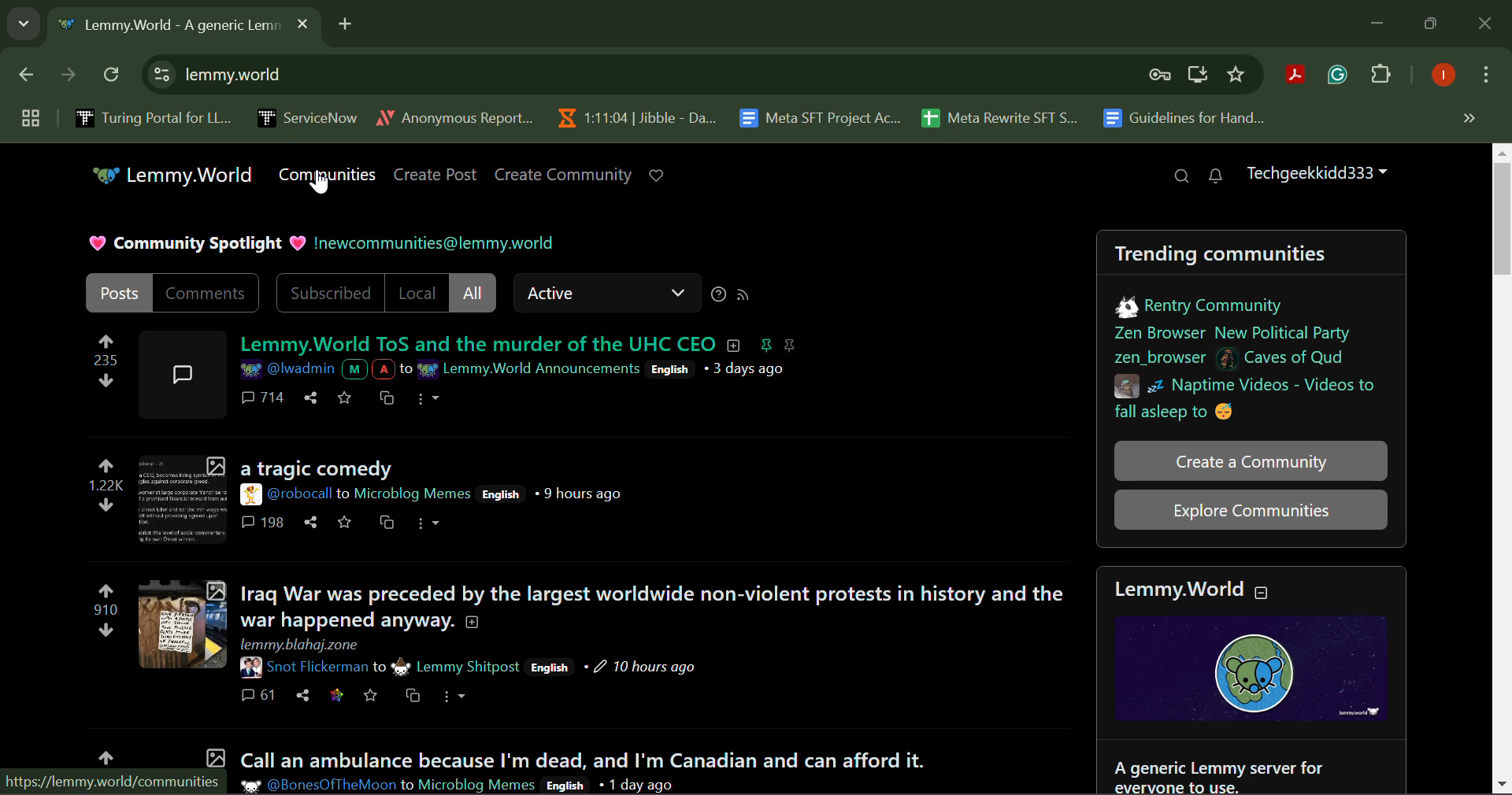 This screenshot has width=1512, height=795. What do you see at coordinates (263, 397) in the screenshot?
I see `Comments` at bounding box center [263, 397].